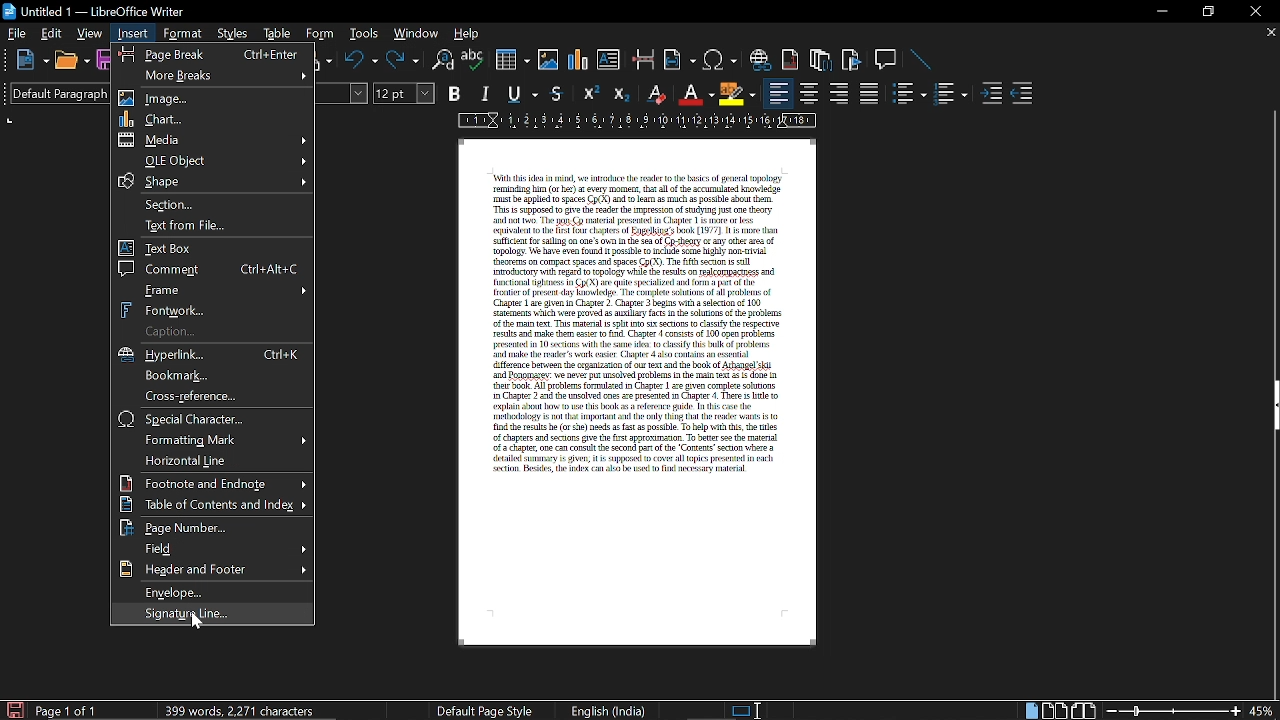 This screenshot has height=720, width=1280. What do you see at coordinates (1083, 710) in the screenshot?
I see `book view` at bounding box center [1083, 710].